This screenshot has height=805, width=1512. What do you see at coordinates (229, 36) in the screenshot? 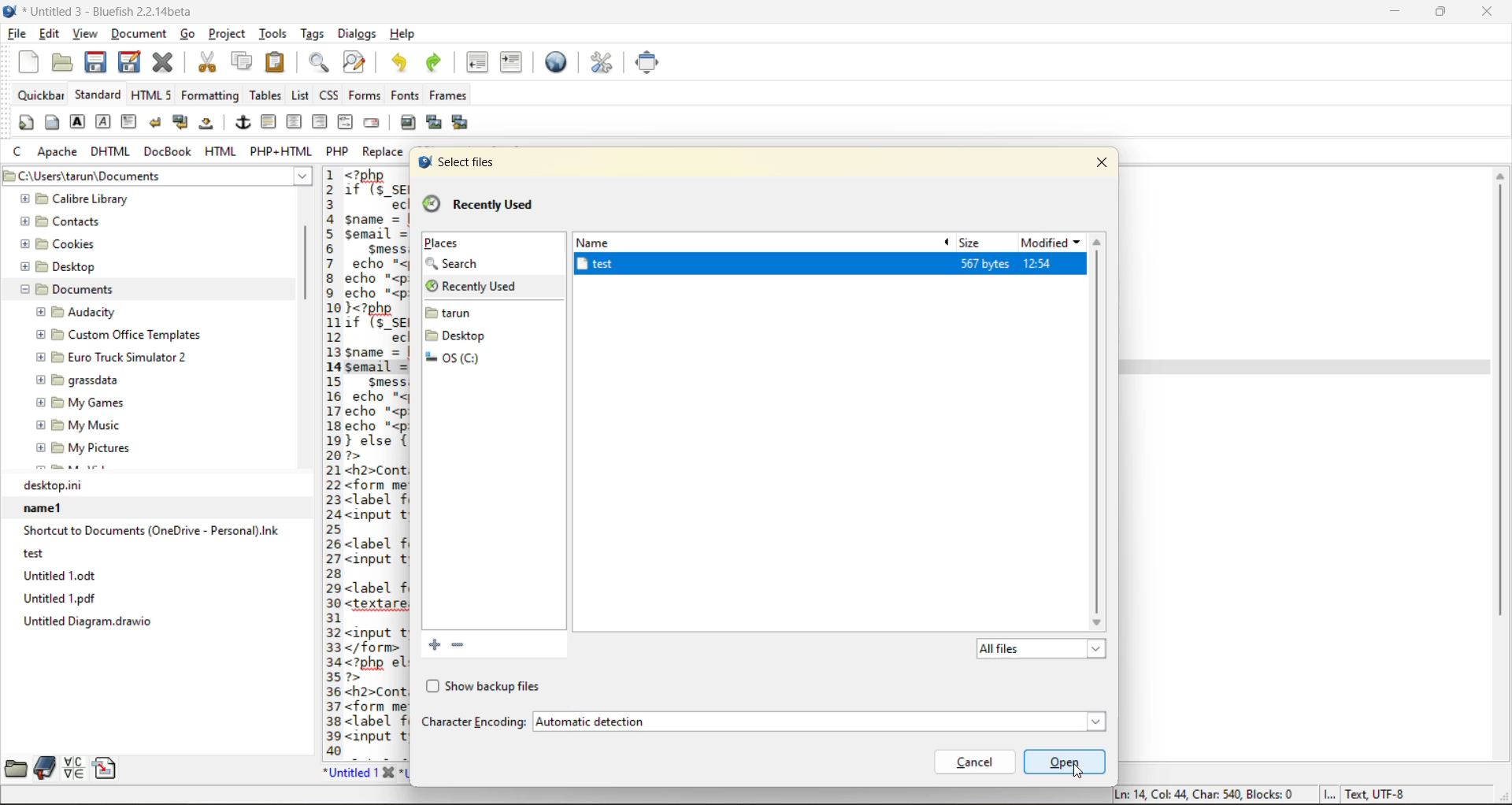
I see `project` at bounding box center [229, 36].